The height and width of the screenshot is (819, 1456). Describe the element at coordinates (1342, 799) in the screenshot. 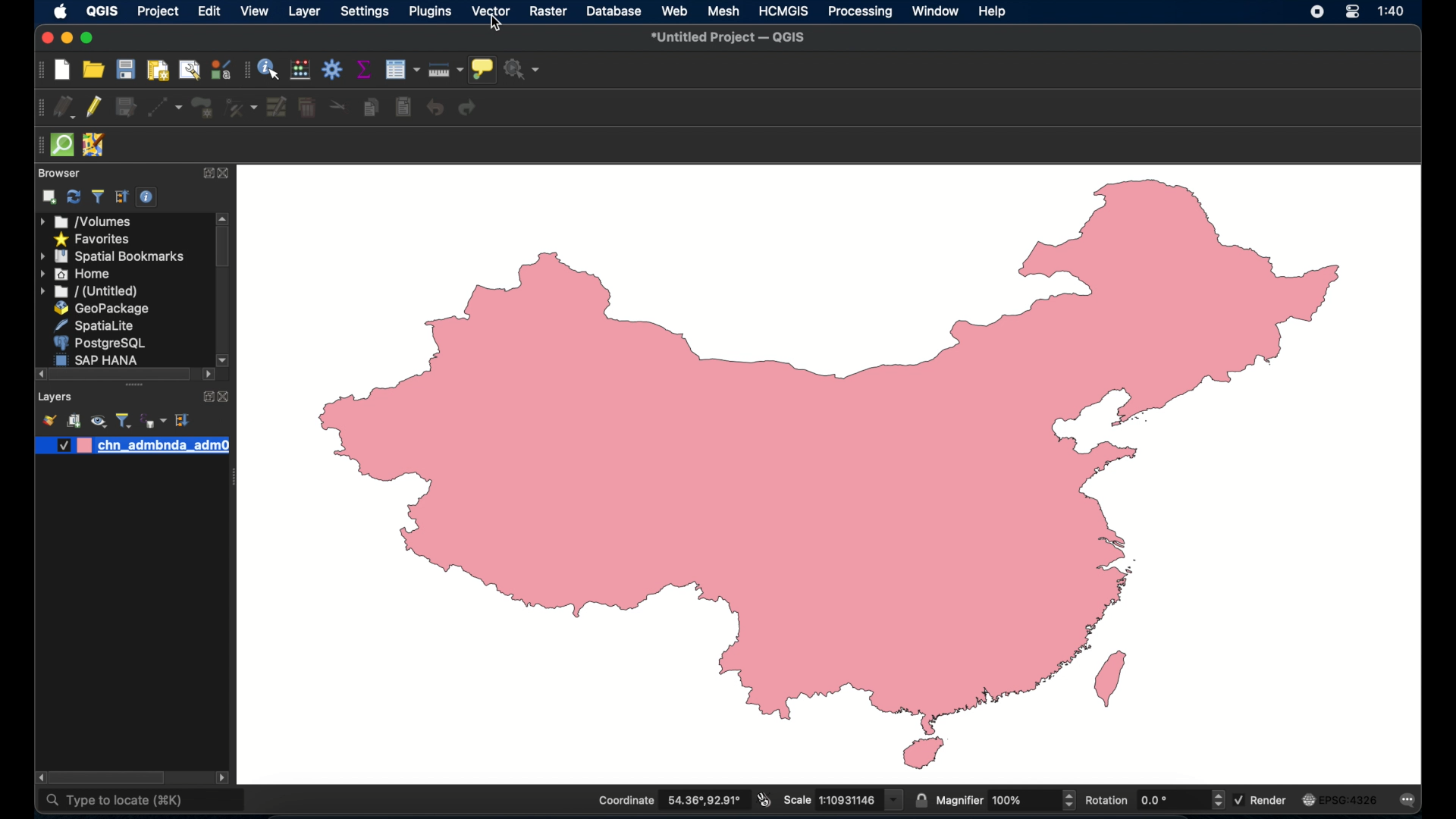

I see `current crs` at that location.